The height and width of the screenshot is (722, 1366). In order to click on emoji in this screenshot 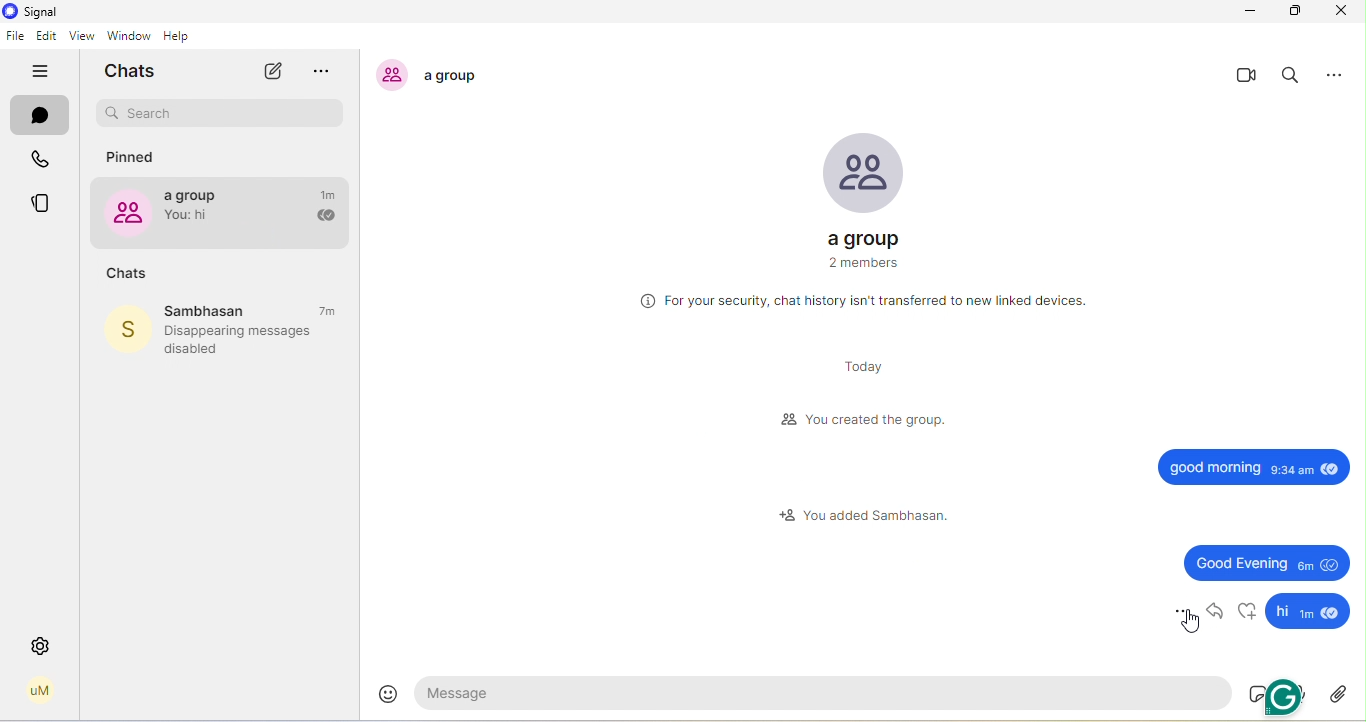, I will do `click(389, 691)`.